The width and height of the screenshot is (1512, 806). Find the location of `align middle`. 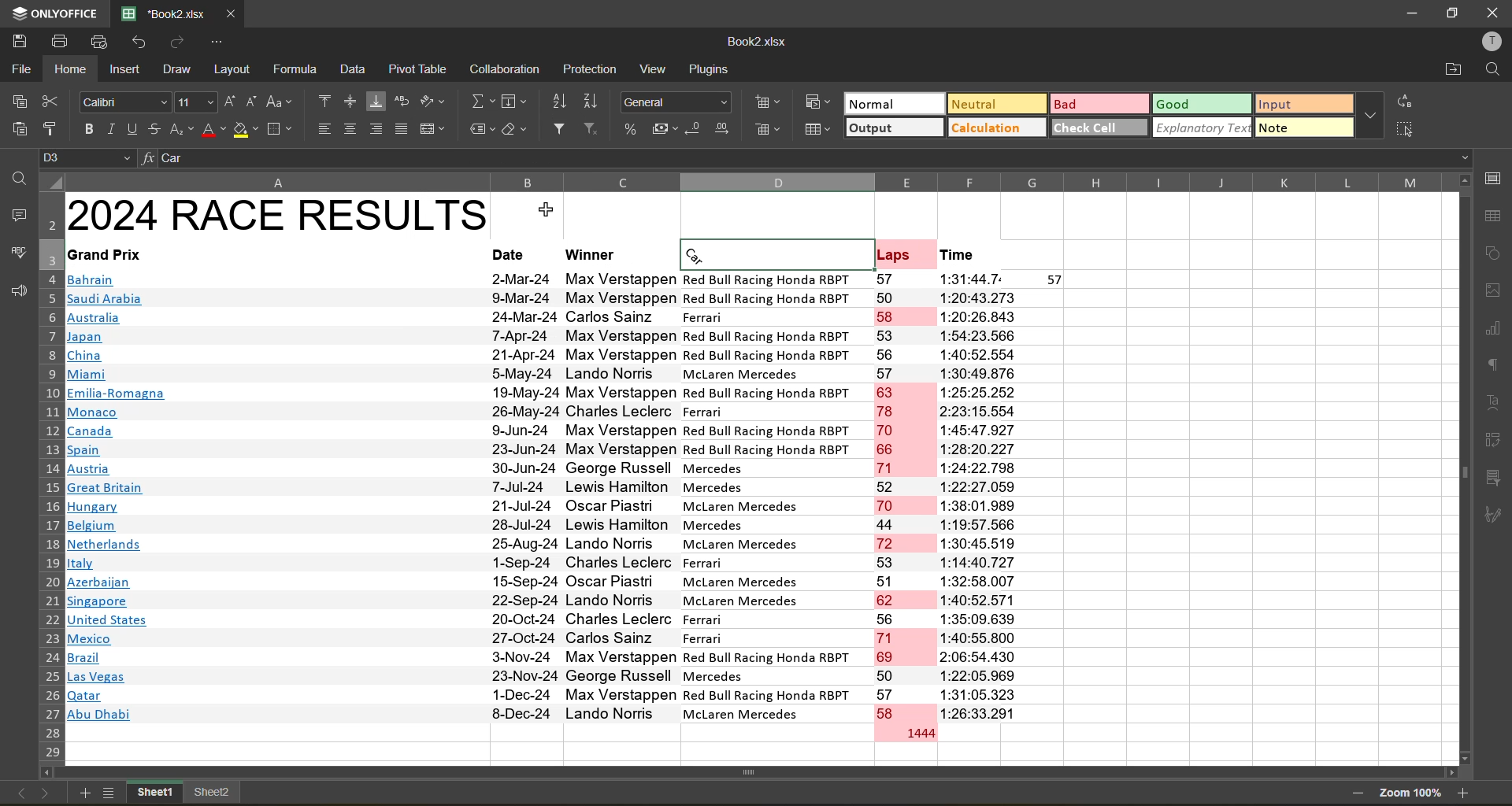

align middle is located at coordinates (350, 100).